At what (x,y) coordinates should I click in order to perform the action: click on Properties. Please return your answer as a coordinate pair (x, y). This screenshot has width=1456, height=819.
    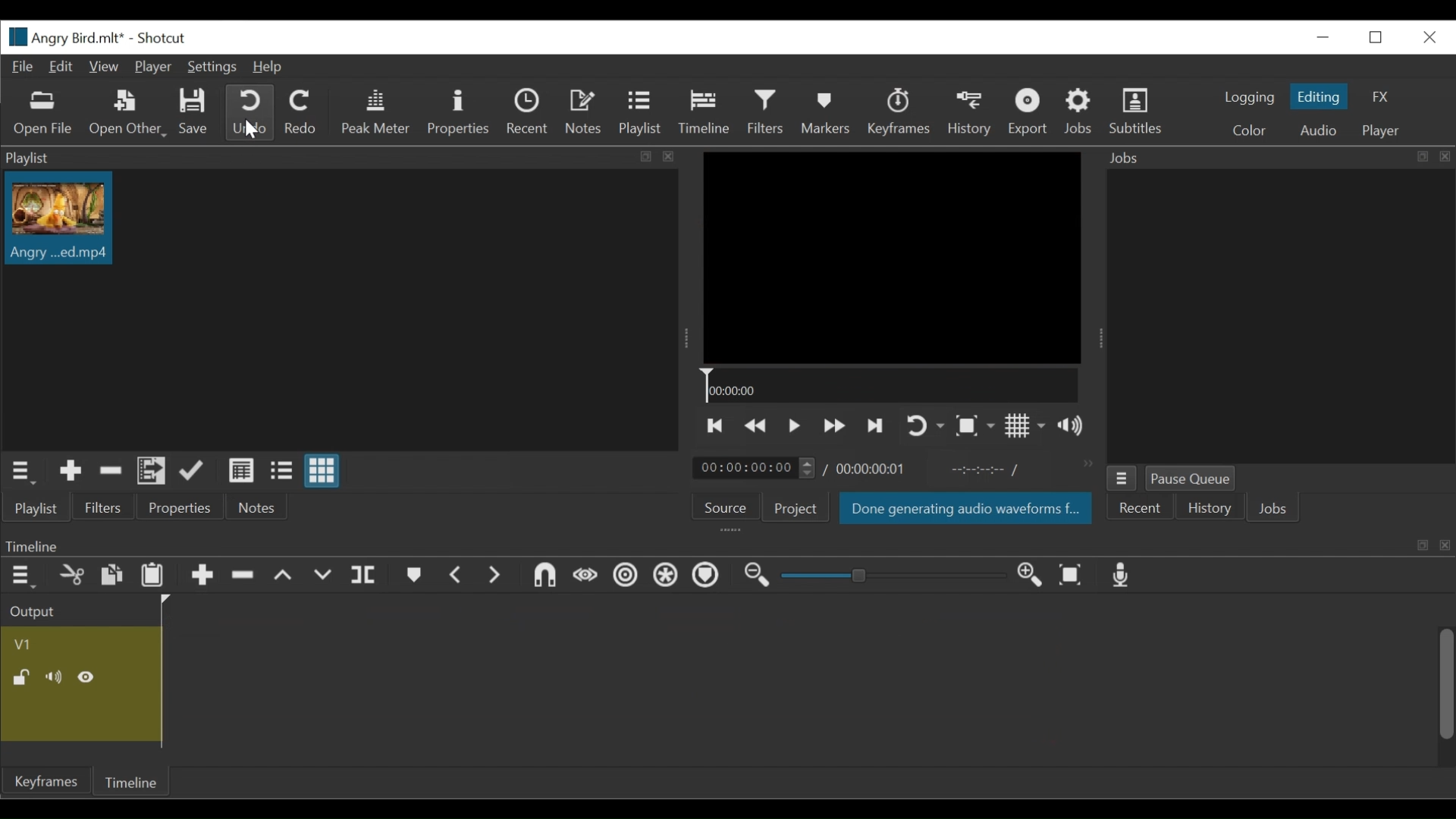
    Looking at the image, I should click on (463, 114).